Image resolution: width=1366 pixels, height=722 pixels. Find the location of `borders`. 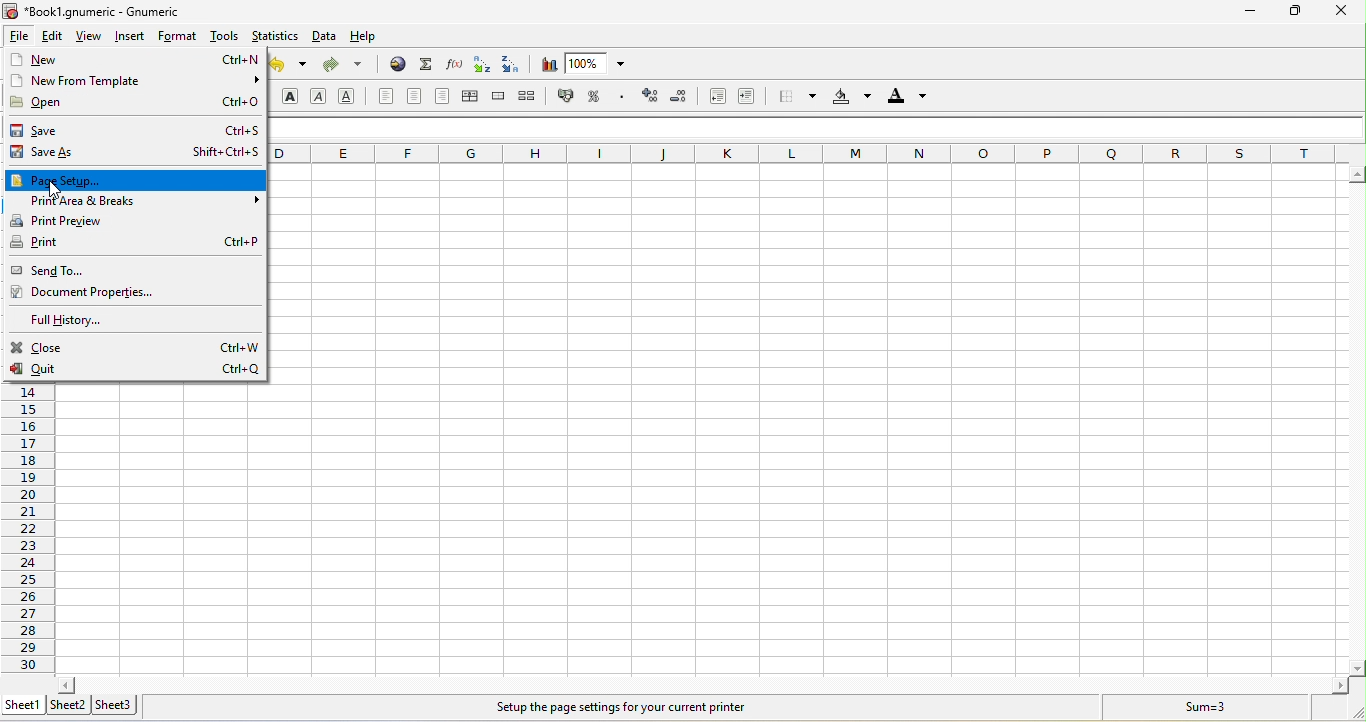

borders is located at coordinates (793, 97).